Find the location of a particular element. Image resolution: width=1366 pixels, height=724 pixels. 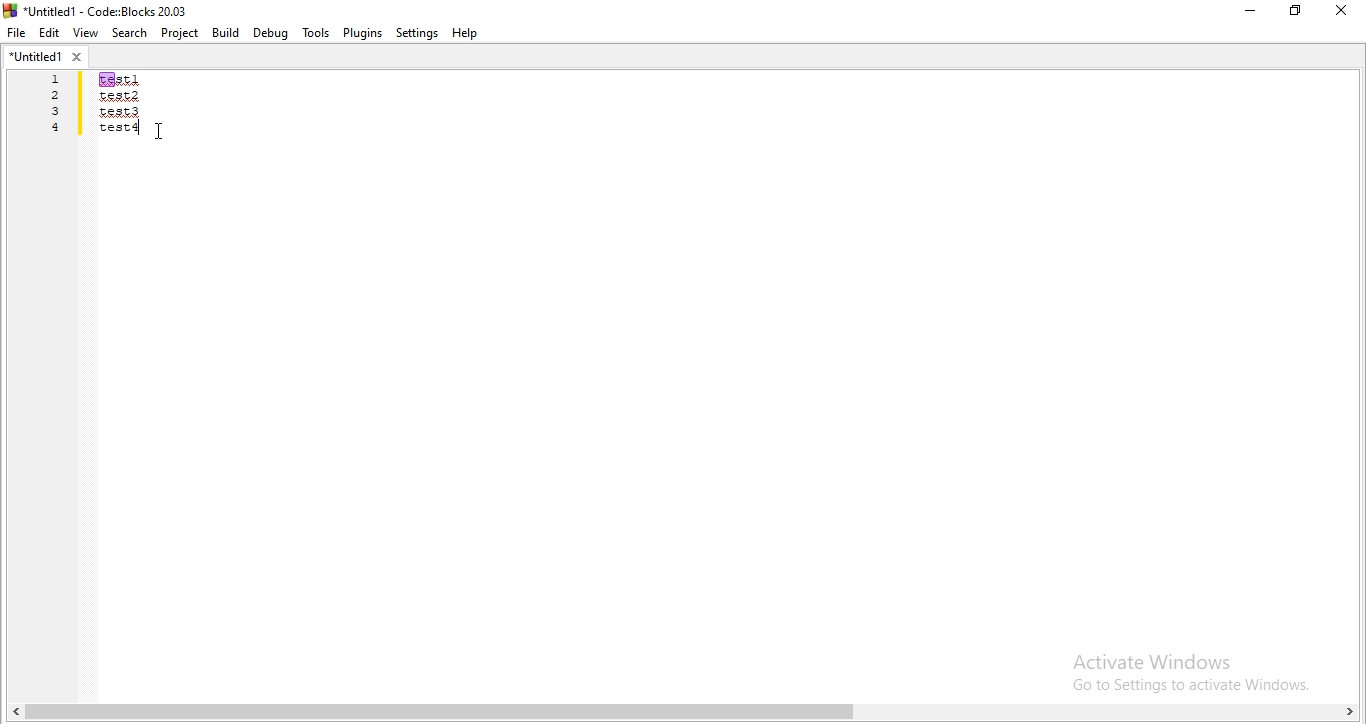

Cursor is located at coordinates (164, 133).